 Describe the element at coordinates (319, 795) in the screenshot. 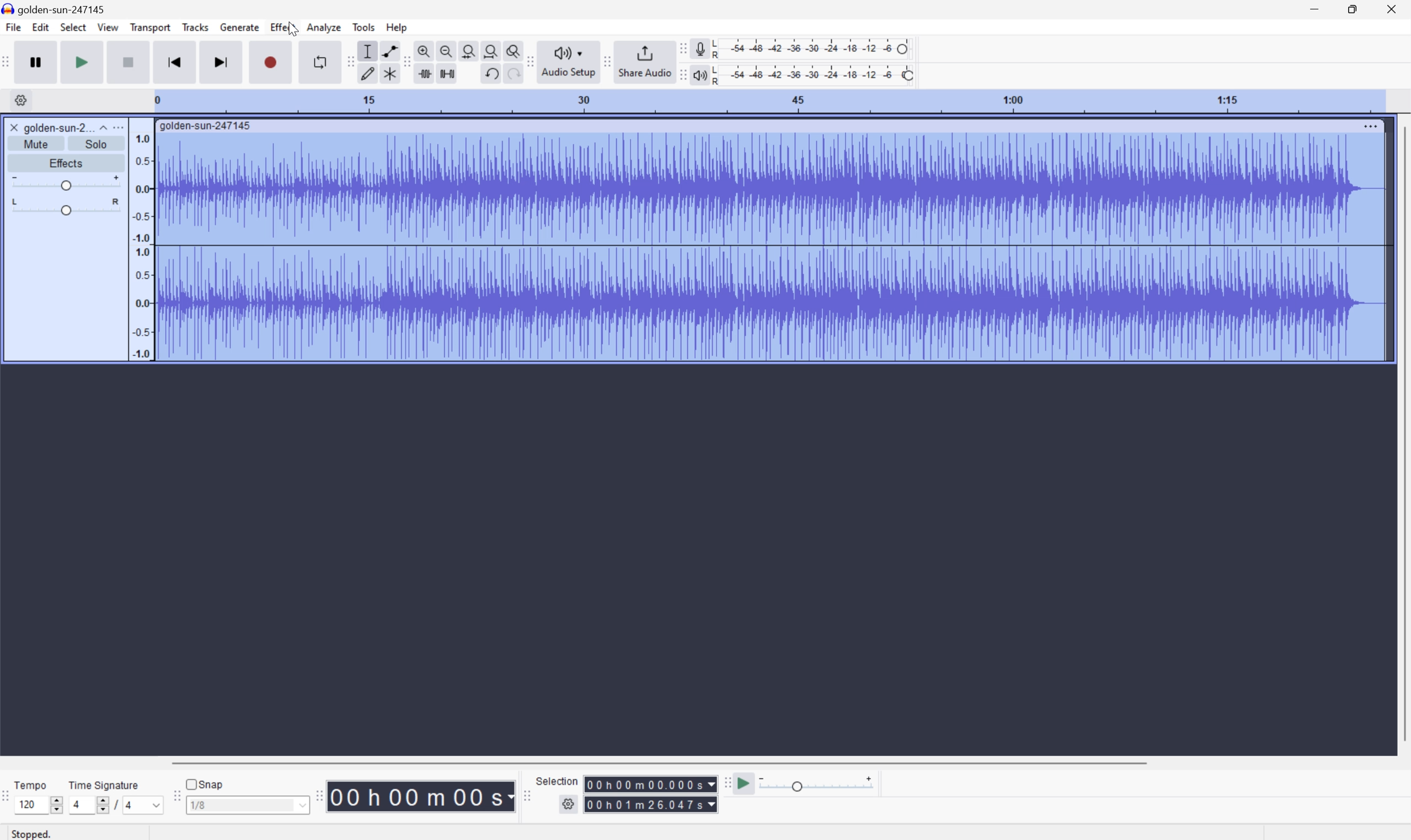

I see `Audacity toolbar` at that location.